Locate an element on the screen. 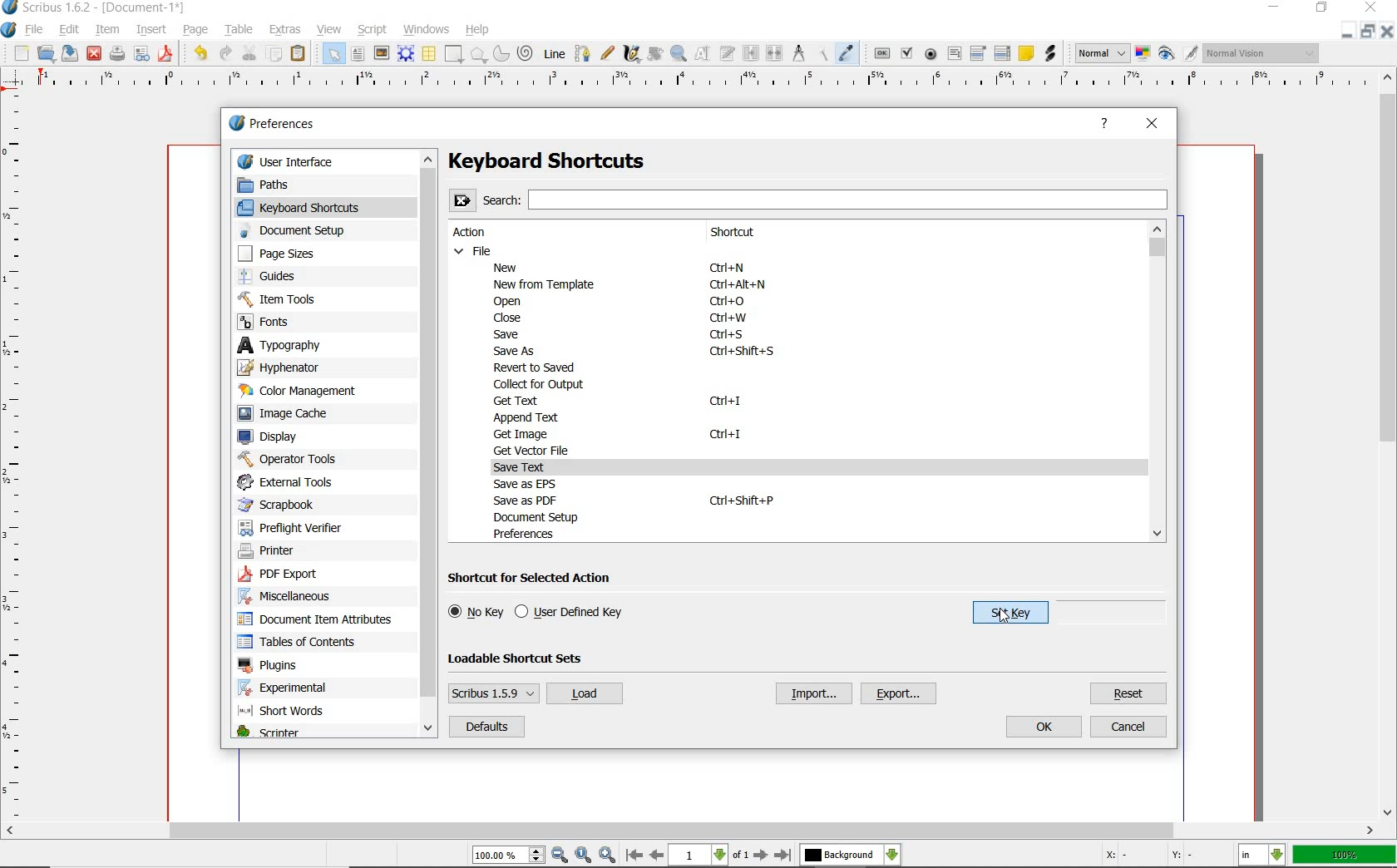 This screenshot has height=868, width=1397. Ctrl + Shift + P is located at coordinates (741, 500).